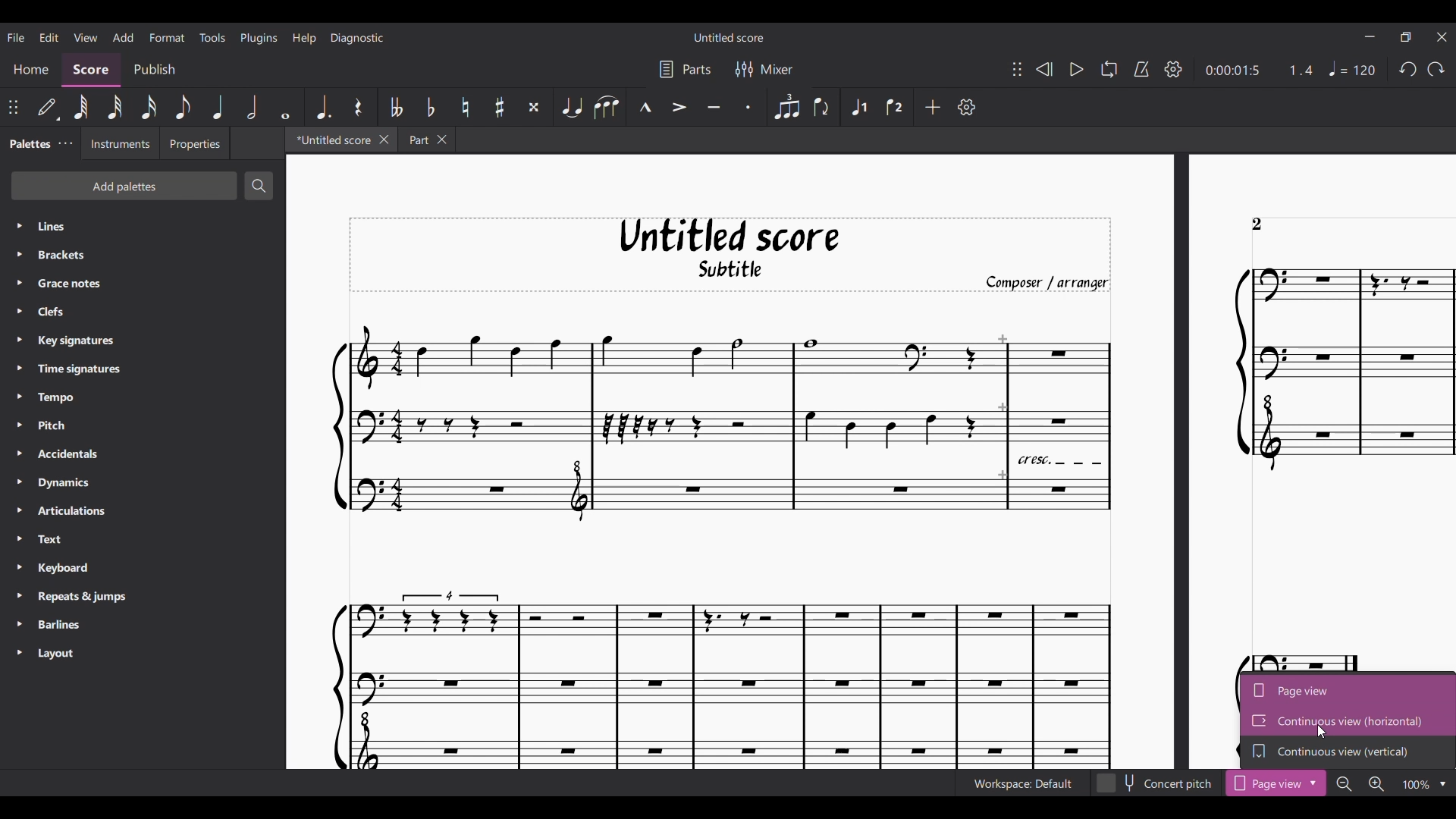  What do you see at coordinates (119, 143) in the screenshot?
I see `Instruments setting tab` at bounding box center [119, 143].